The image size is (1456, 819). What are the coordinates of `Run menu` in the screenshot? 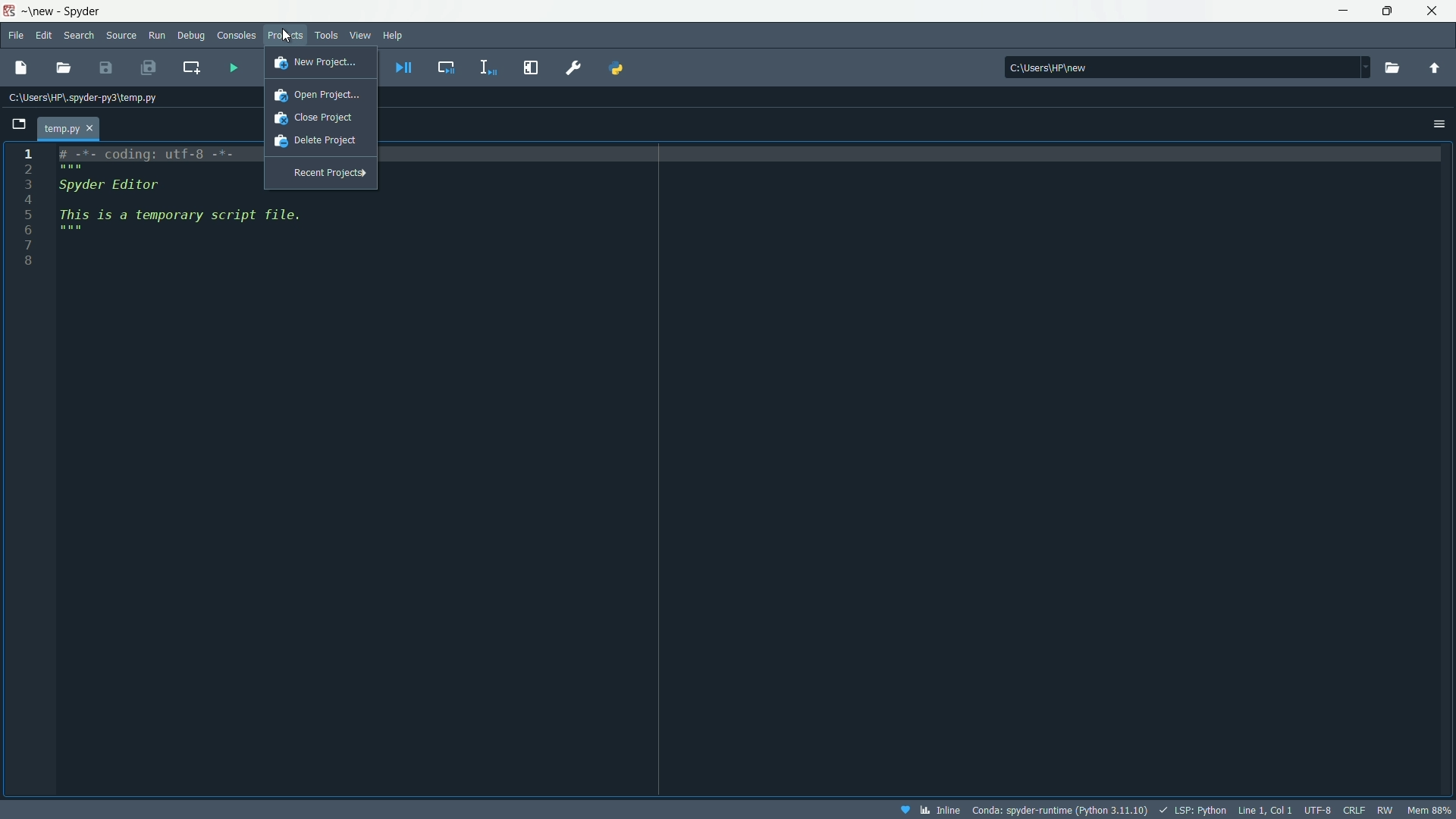 It's located at (155, 35).